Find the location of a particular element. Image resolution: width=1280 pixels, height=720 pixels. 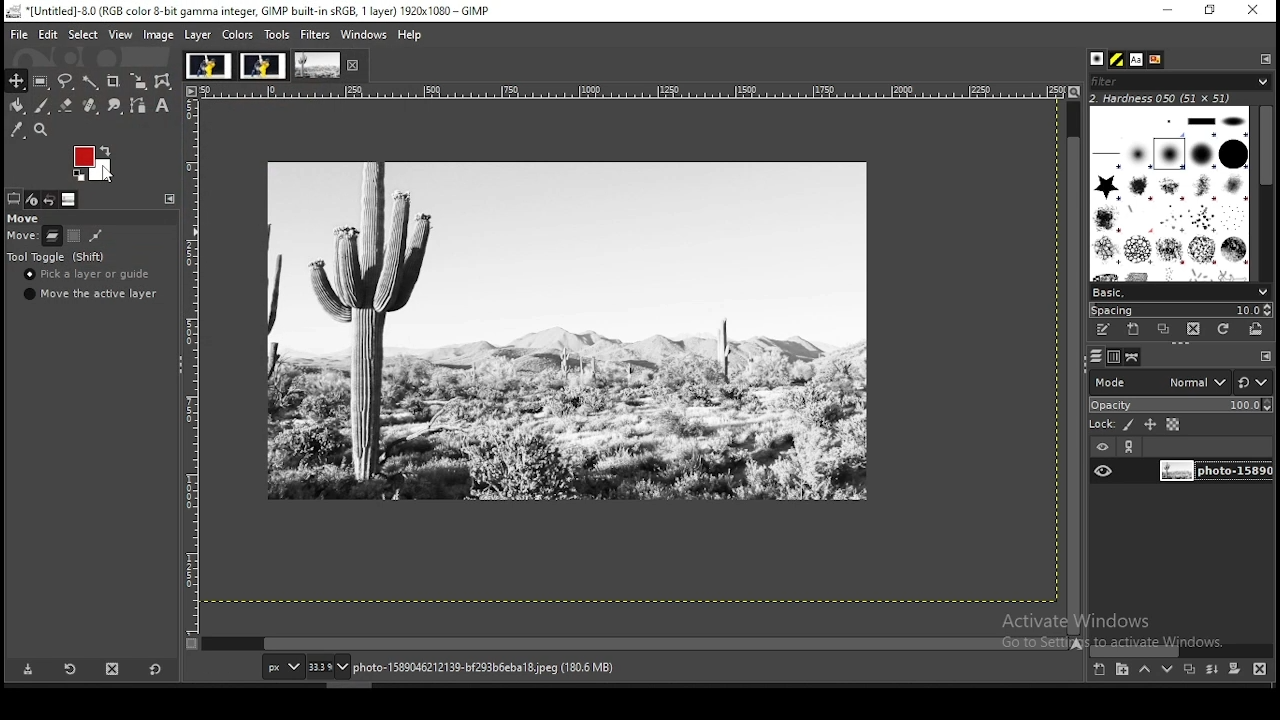

fuzzy selection tool is located at coordinates (92, 81).